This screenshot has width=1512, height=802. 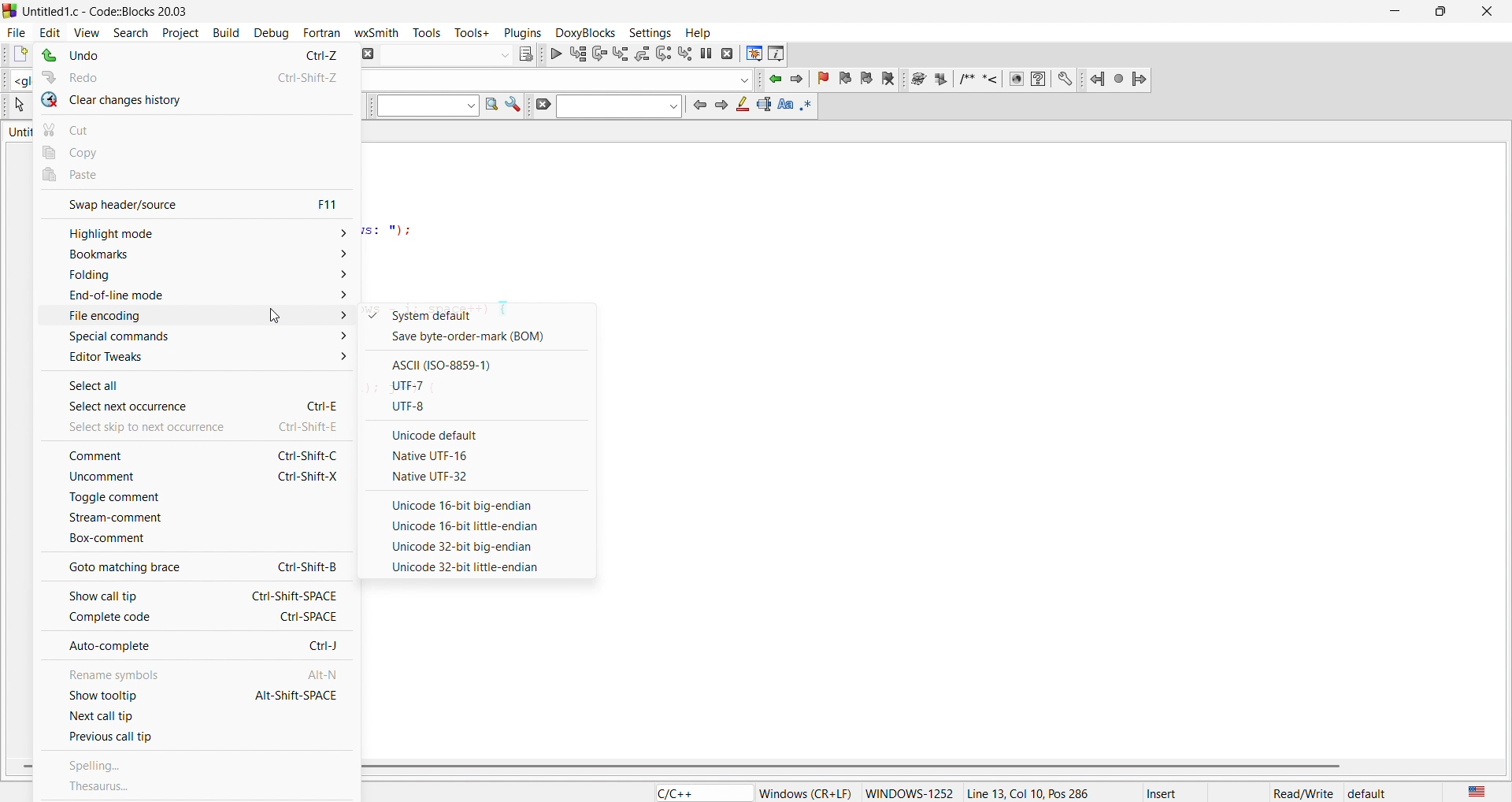 What do you see at coordinates (484, 501) in the screenshot?
I see `option` at bounding box center [484, 501].